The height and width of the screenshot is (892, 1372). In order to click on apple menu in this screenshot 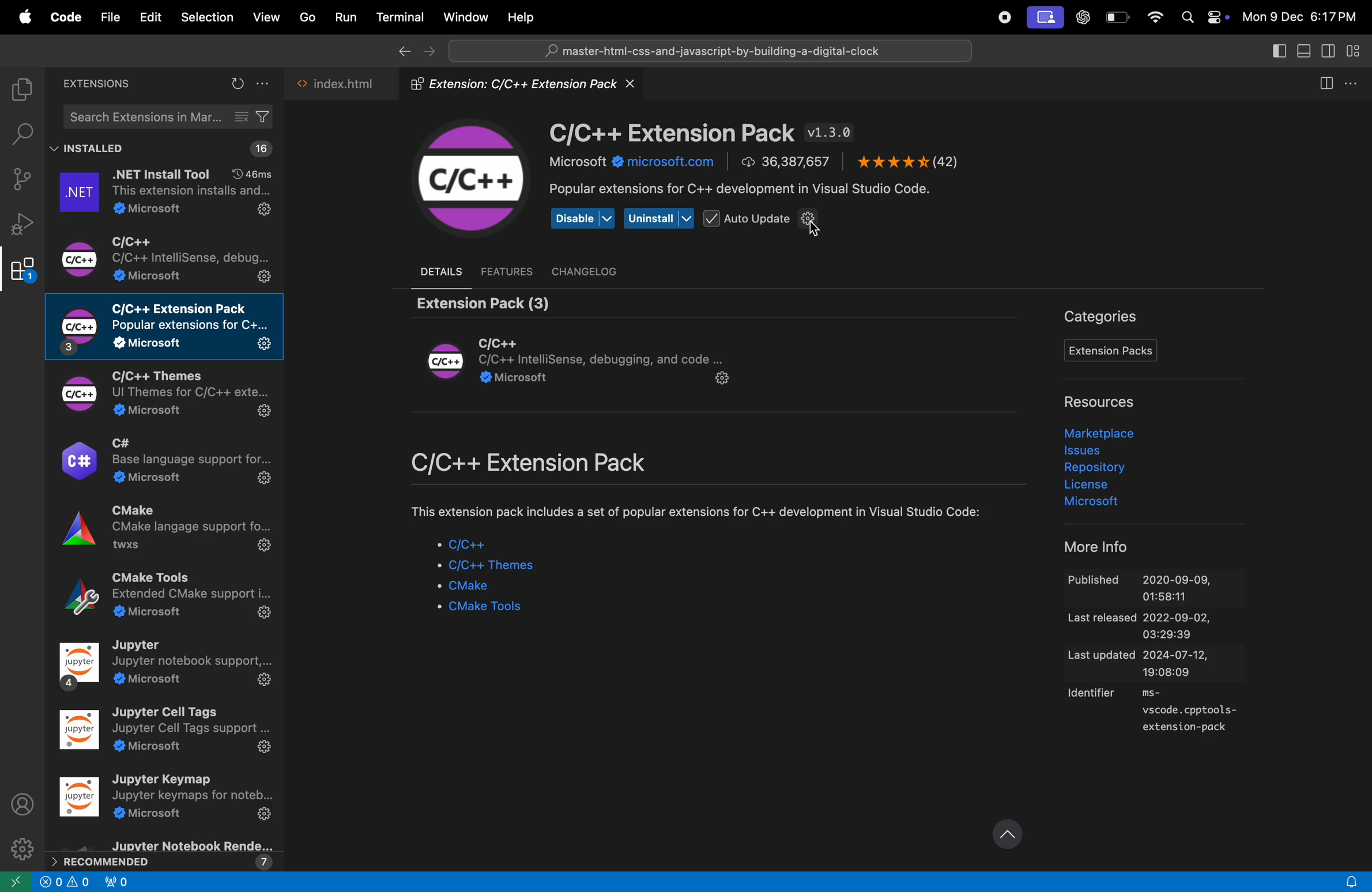, I will do `click(22, 14)`.